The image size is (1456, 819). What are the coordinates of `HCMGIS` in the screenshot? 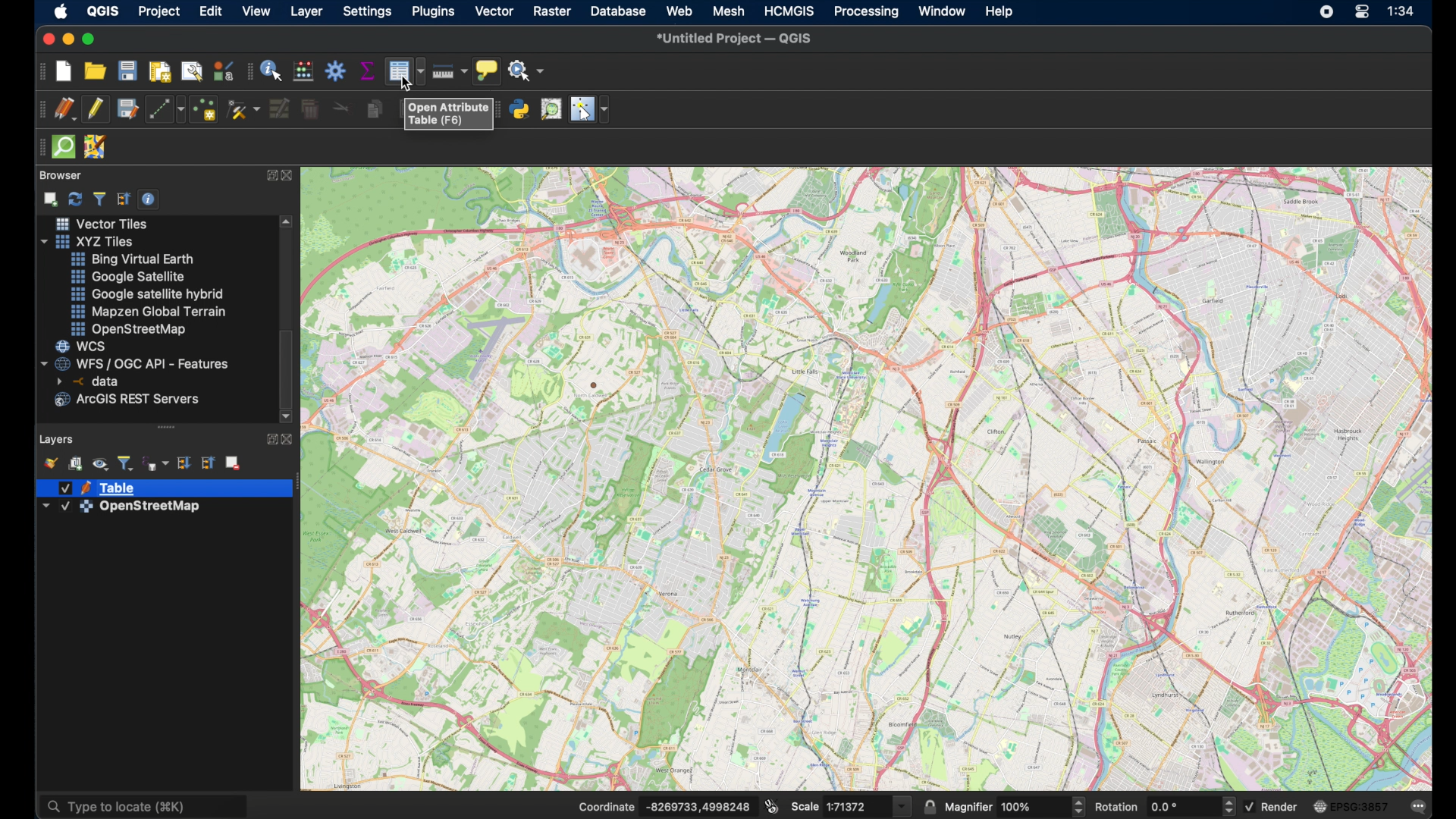 It's located at (789, 11).